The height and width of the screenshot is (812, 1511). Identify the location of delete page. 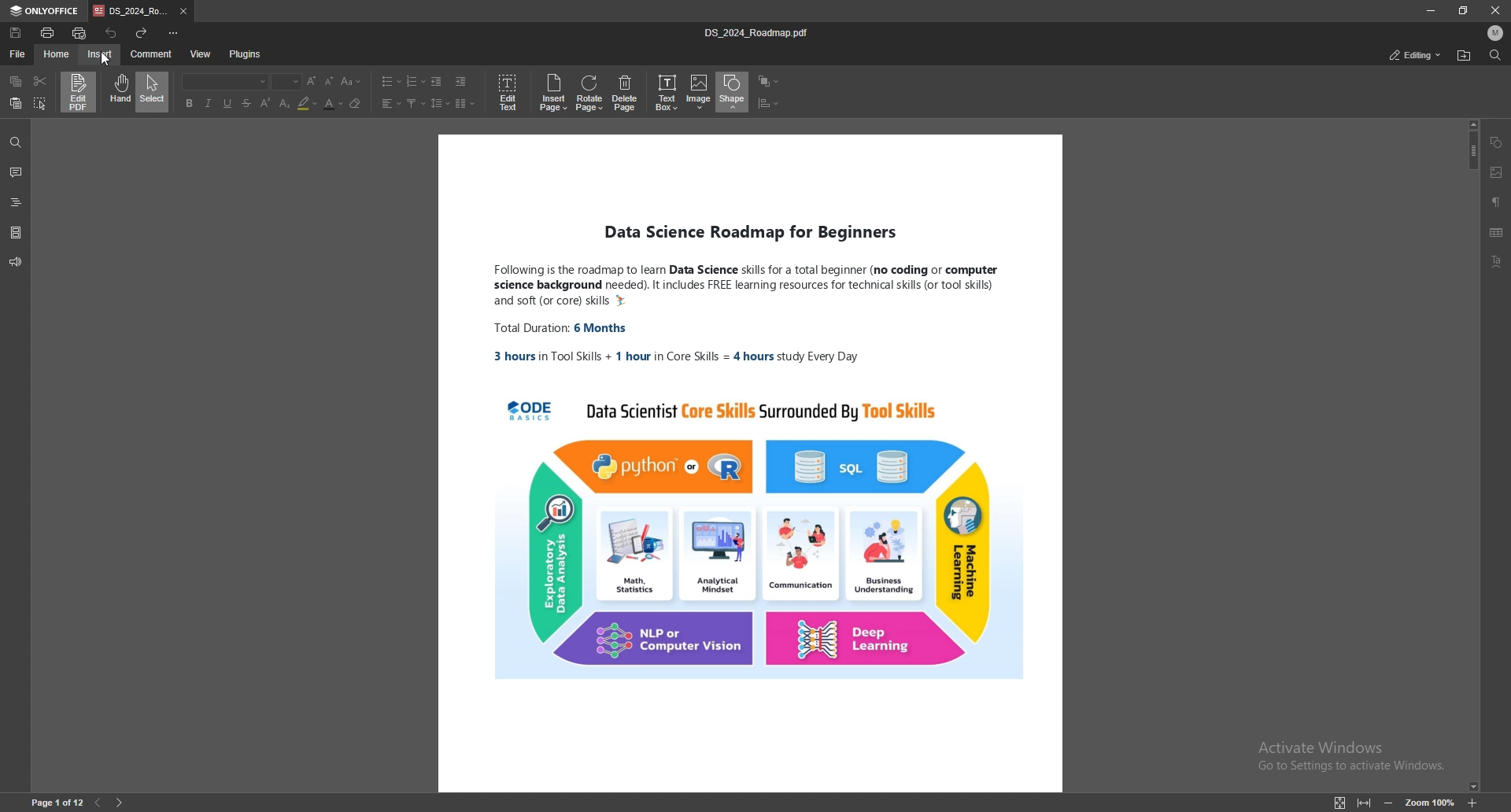
(628, 93).